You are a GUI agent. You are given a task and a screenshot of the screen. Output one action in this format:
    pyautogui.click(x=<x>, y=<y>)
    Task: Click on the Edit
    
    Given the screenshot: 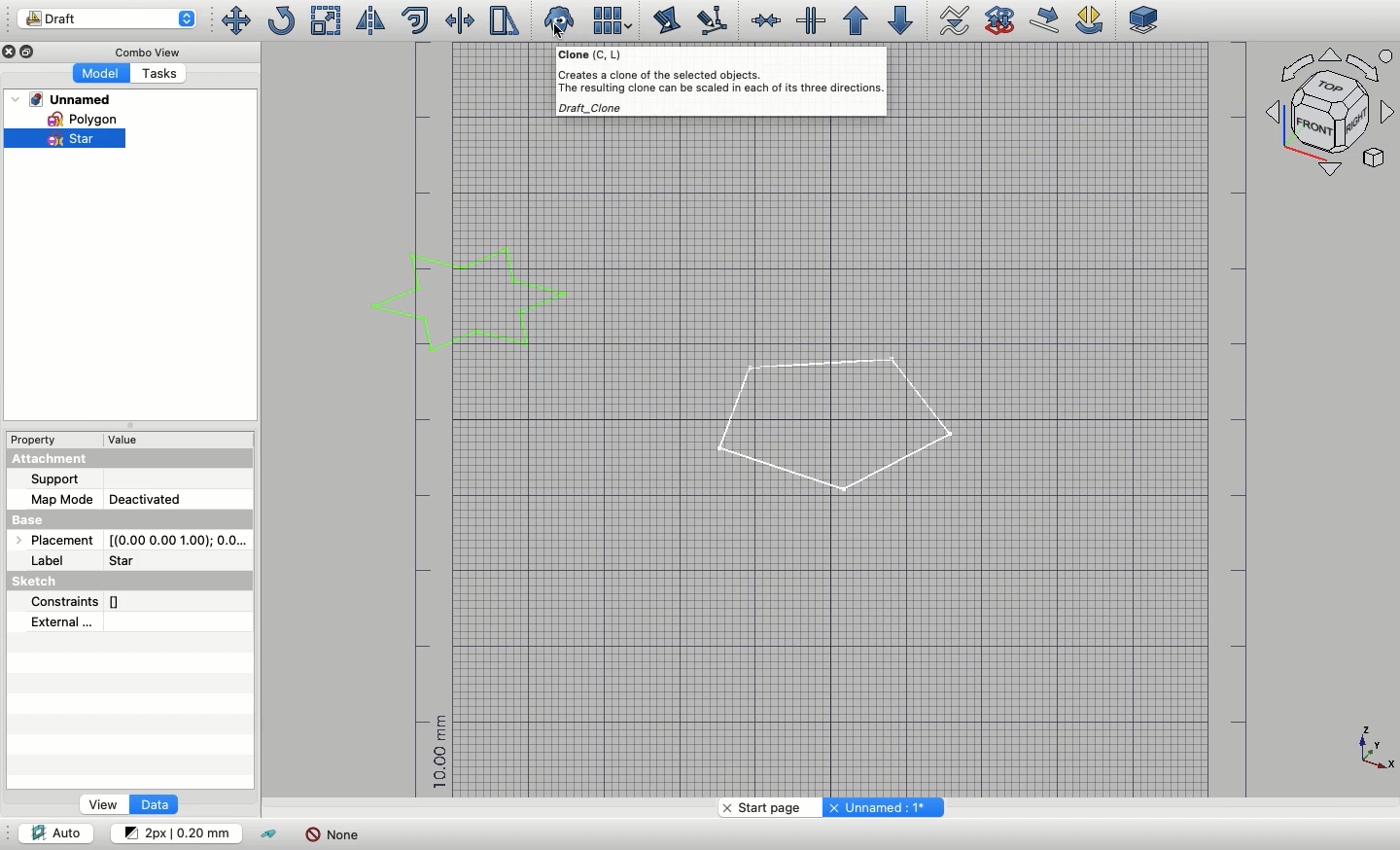 What is the action you would take?
    pyautogui.click(x=667, y=20)
    